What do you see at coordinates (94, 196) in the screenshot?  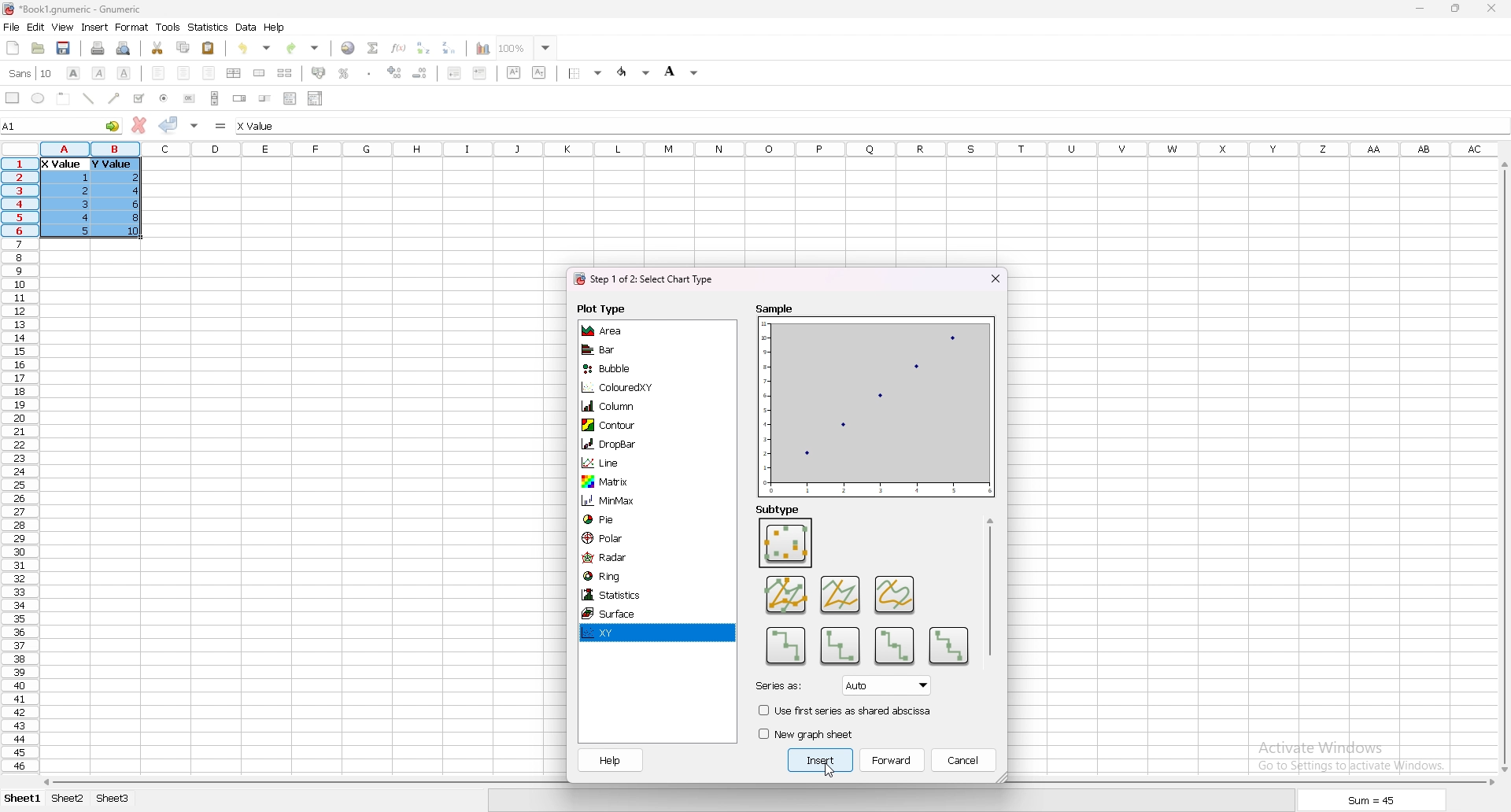 I see `data` at bounding box center [94, 196].